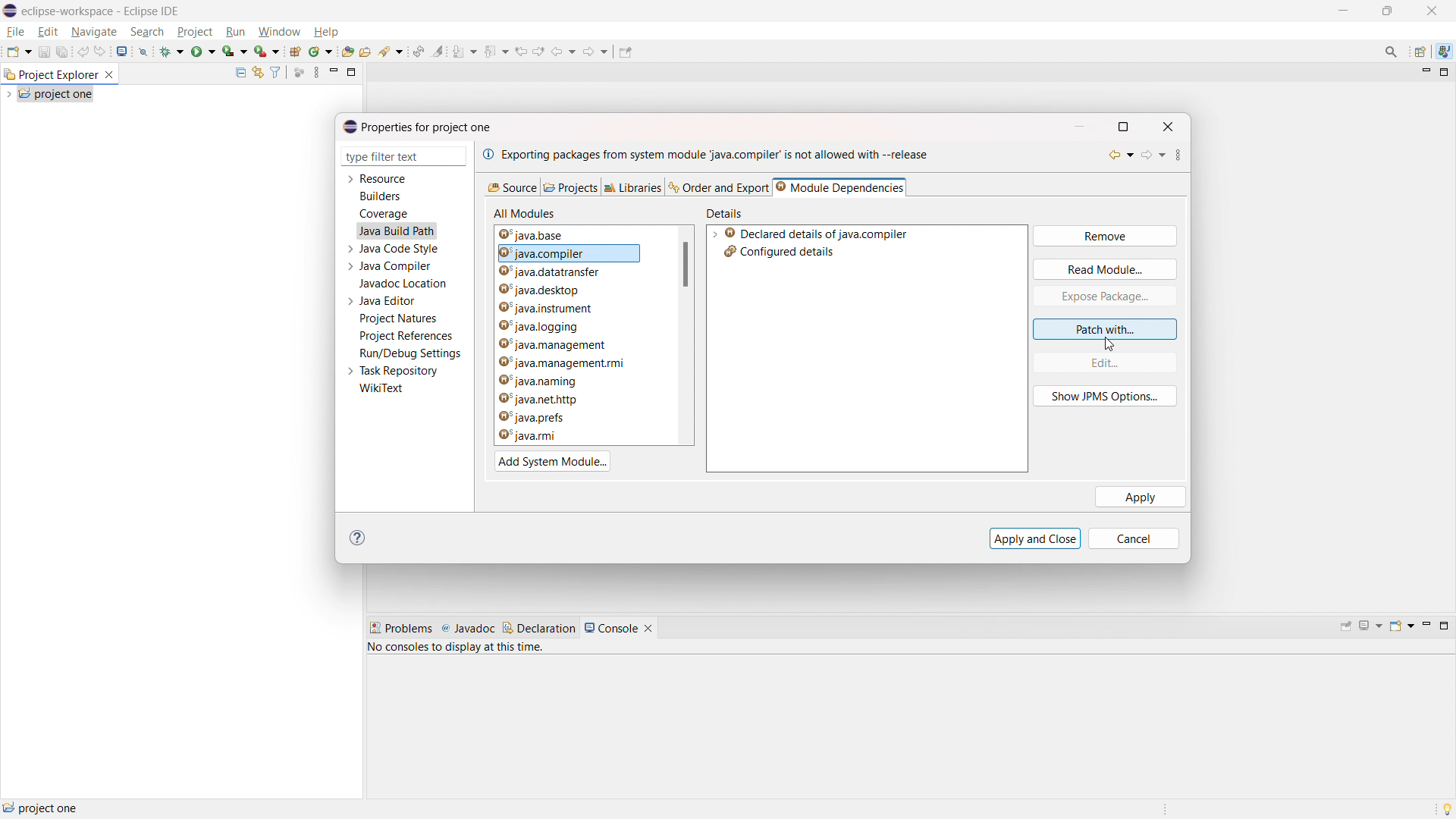 The width and height of the screenshot is (1456, 819). What do you see at coordinates (93, 31) in the screenshot?
I see `navigate` at bounding box center [93, 31].